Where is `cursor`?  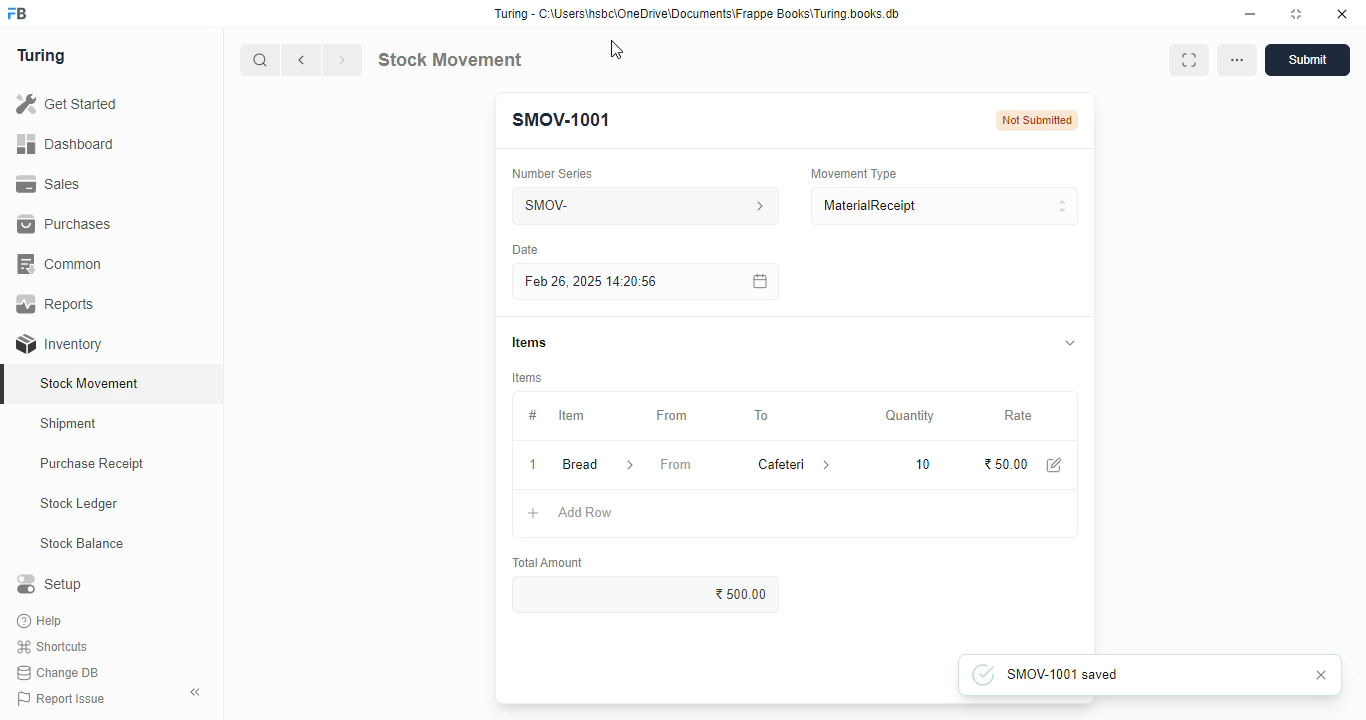
cursor is located at coordinates (618, 50).